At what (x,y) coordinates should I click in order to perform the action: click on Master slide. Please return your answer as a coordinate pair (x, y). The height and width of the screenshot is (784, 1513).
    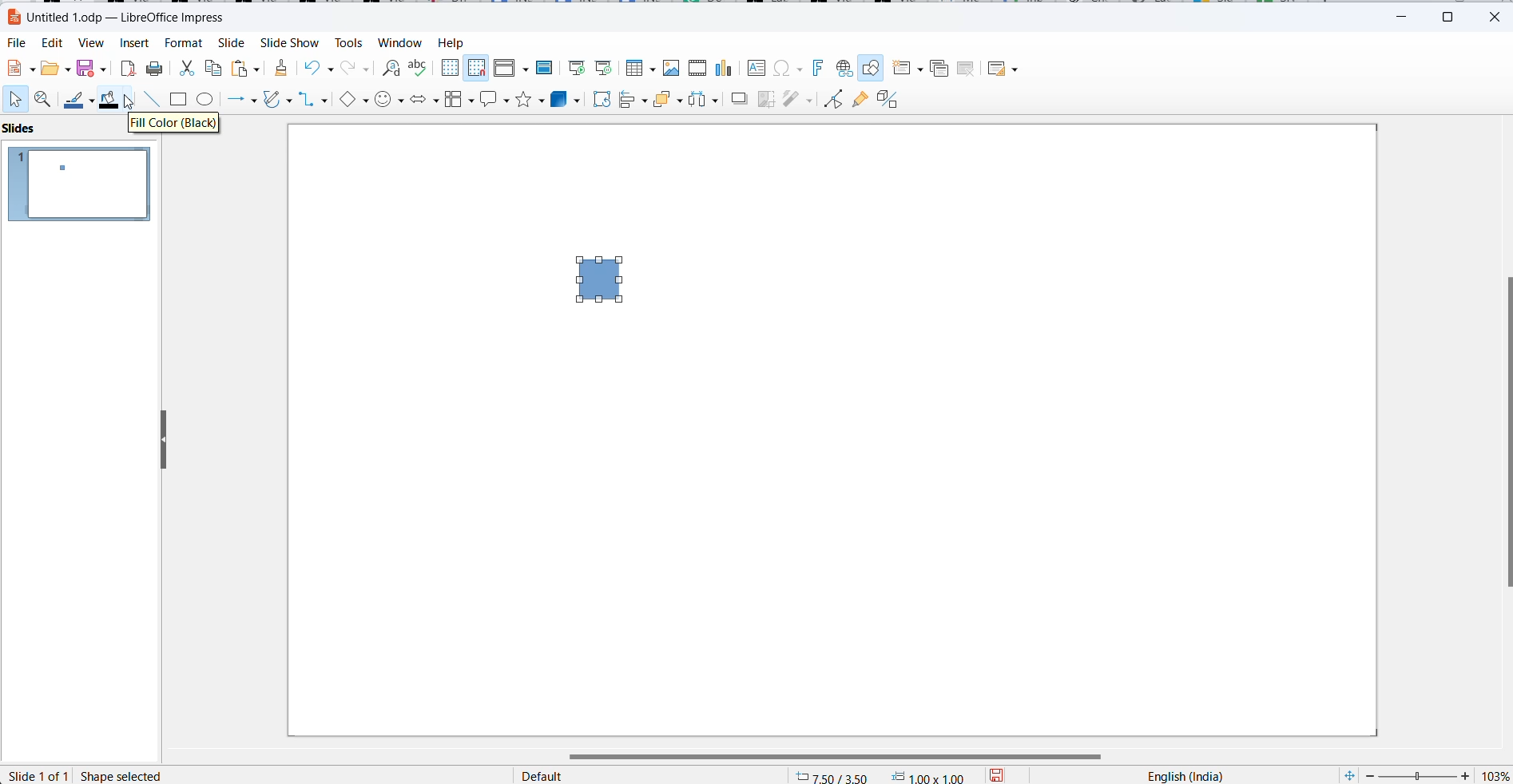
    Looking at the image, I should click on (548, 67).